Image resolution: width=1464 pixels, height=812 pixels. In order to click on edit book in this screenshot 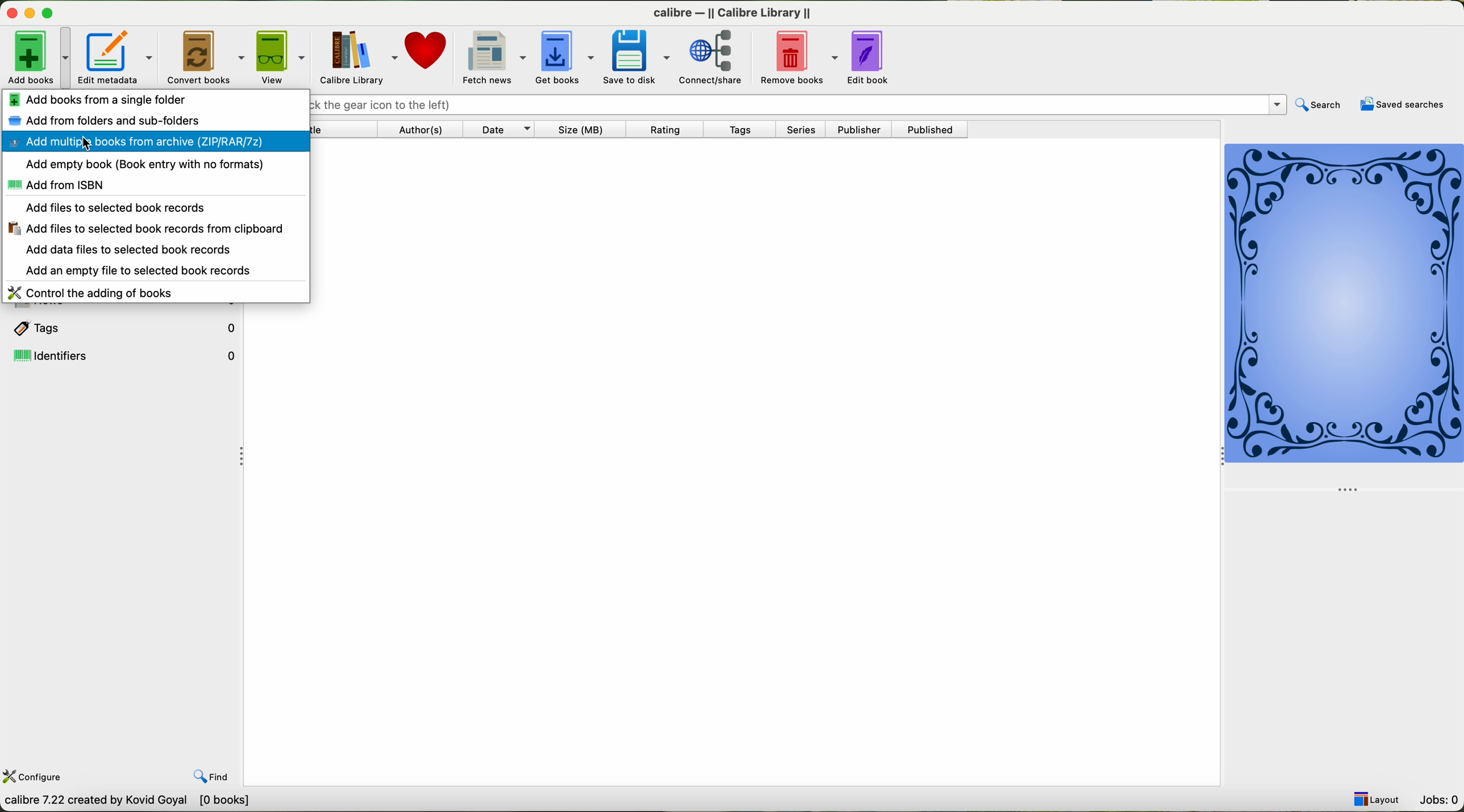, I will do `click(873, 59)`.